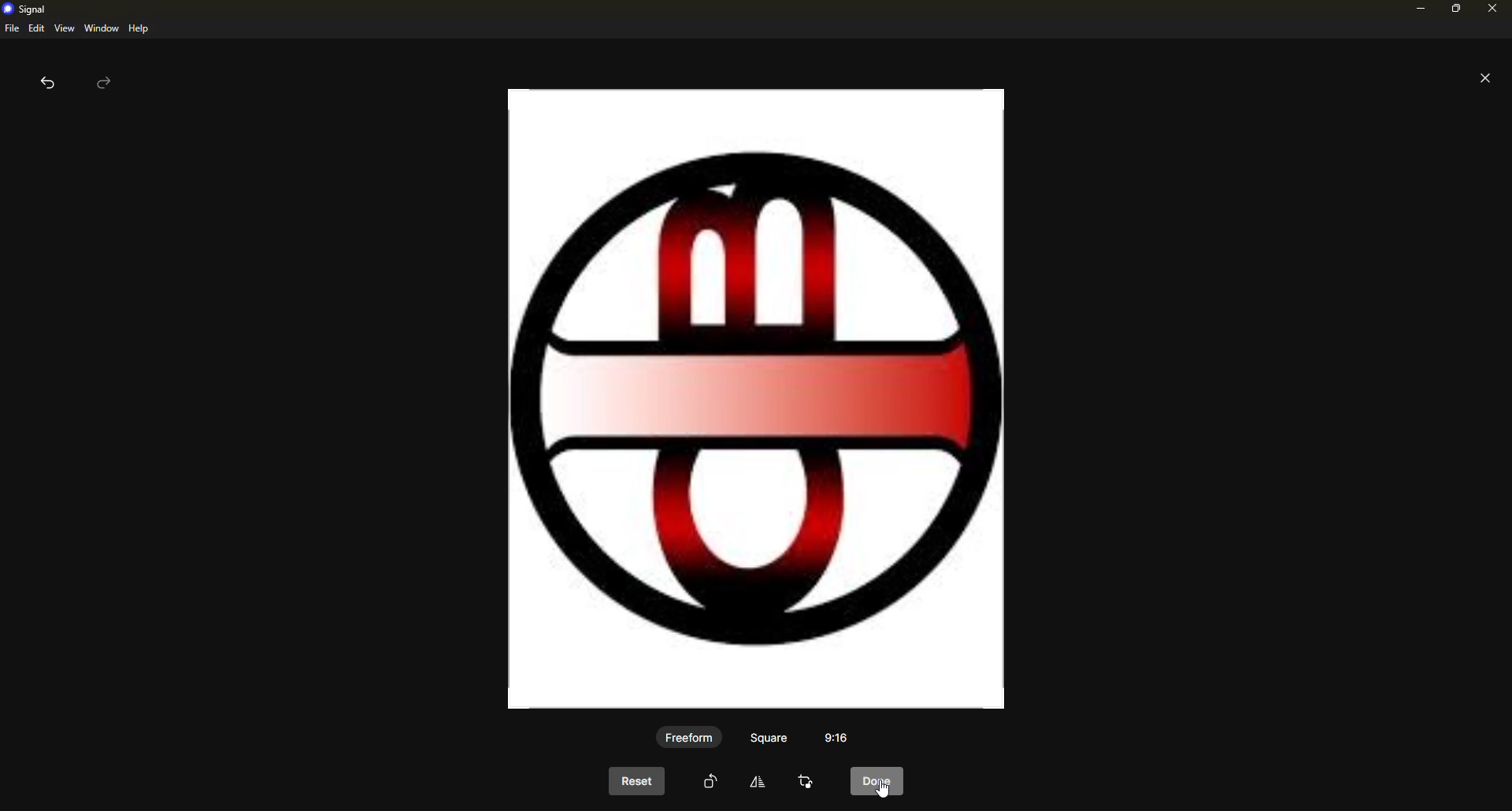  What do you see at coordinates (10, 29) in the screenshot?
I see `file` at bounding box center [10, 29].